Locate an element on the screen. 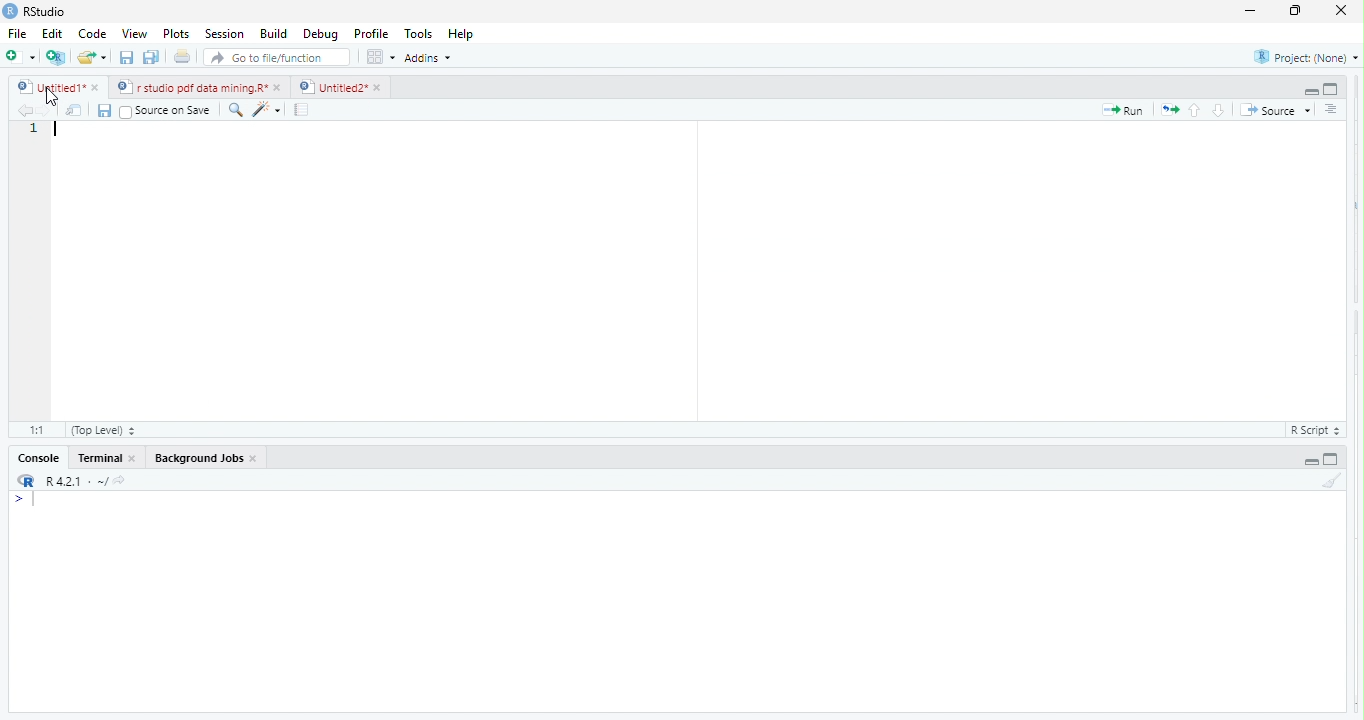  close is located at coordinates (280, 87).